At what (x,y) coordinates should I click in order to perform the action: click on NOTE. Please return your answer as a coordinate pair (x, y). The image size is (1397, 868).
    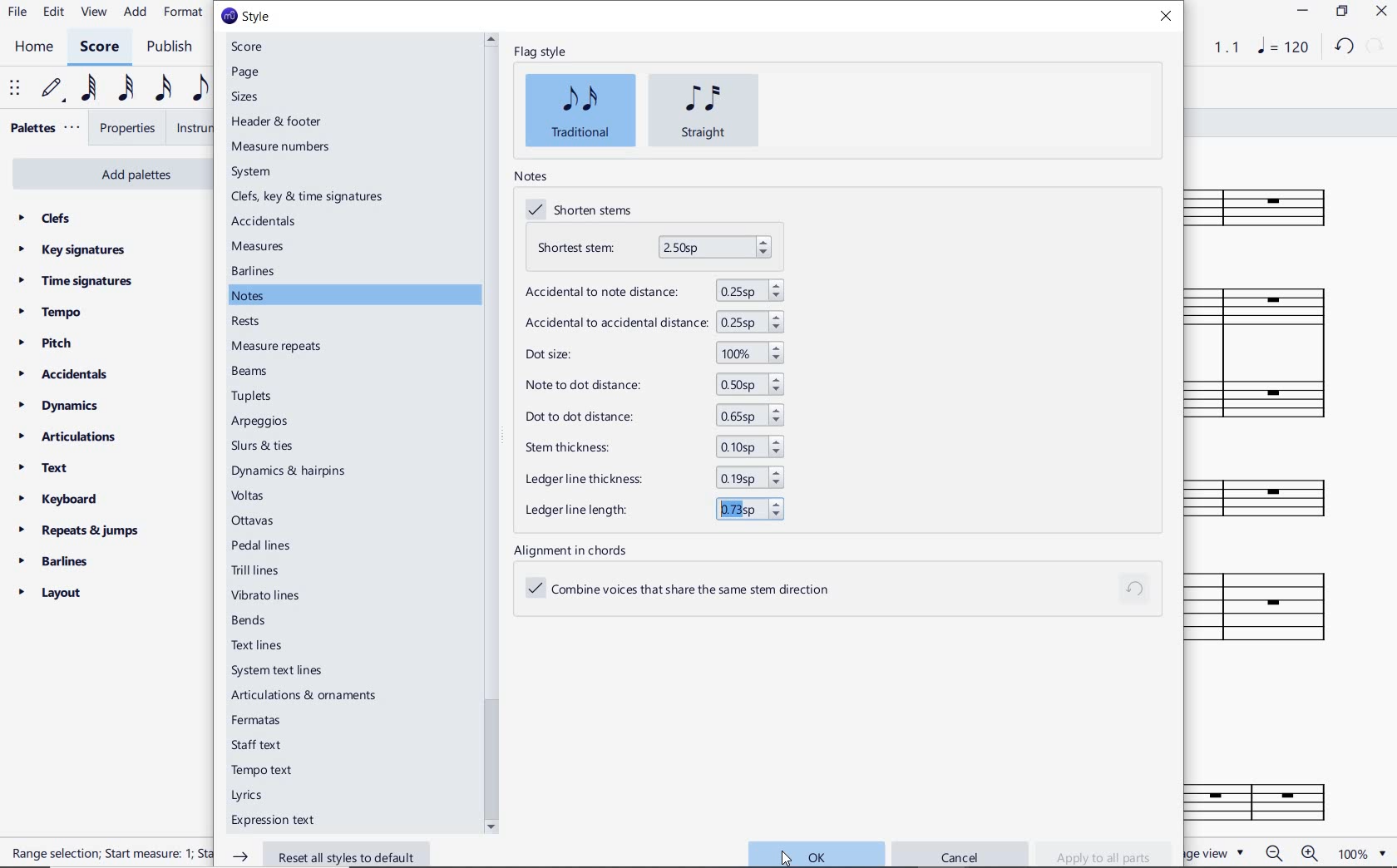
    Looking at the image, I should click on (1284, 46).